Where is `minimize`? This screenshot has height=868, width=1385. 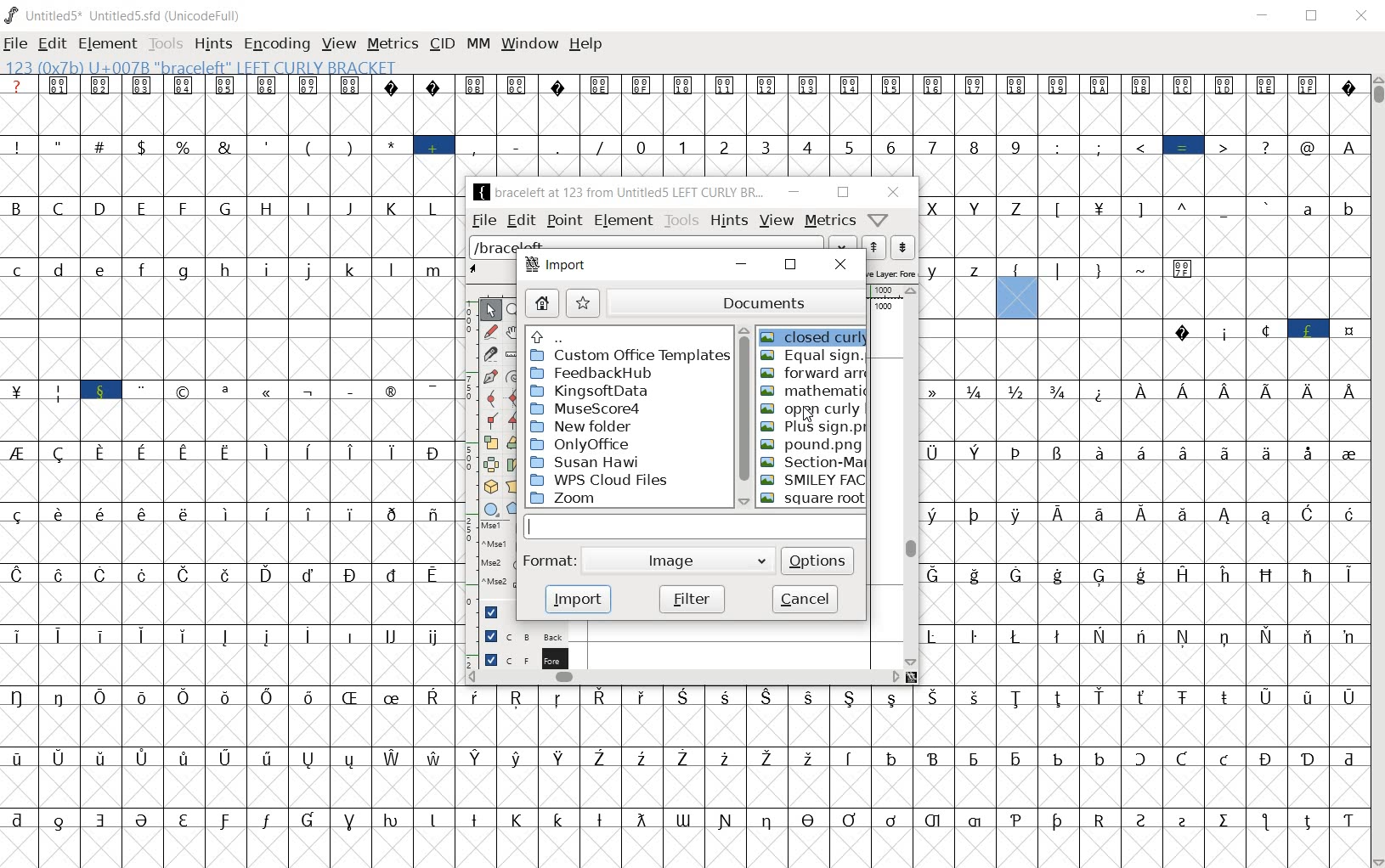 minimize is located at coordinates (742, 266).